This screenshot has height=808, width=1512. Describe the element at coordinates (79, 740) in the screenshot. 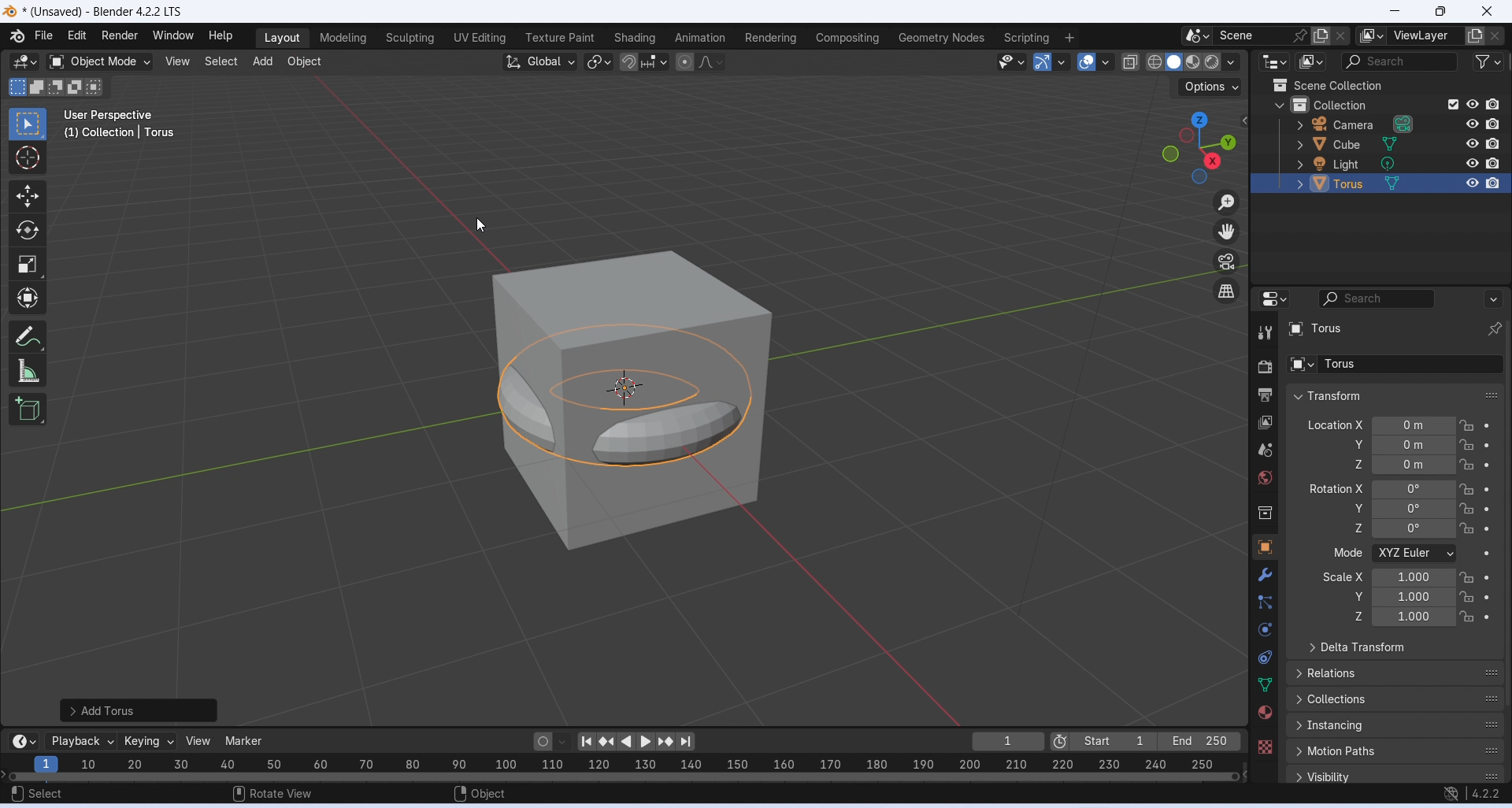

I see `Playback` at that location.